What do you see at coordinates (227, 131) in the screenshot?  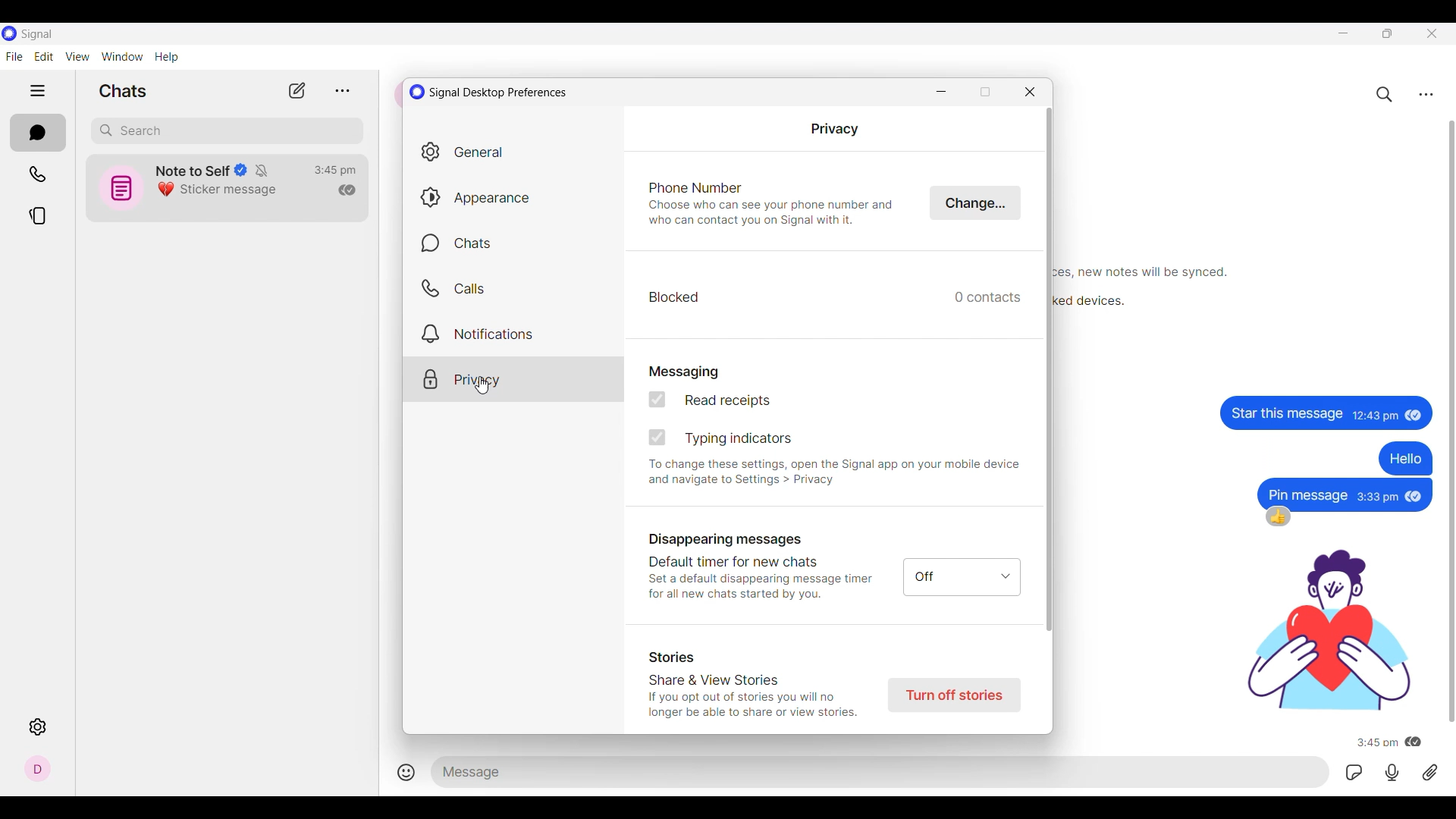 I see `Search box` at bounding box center [227, 131].